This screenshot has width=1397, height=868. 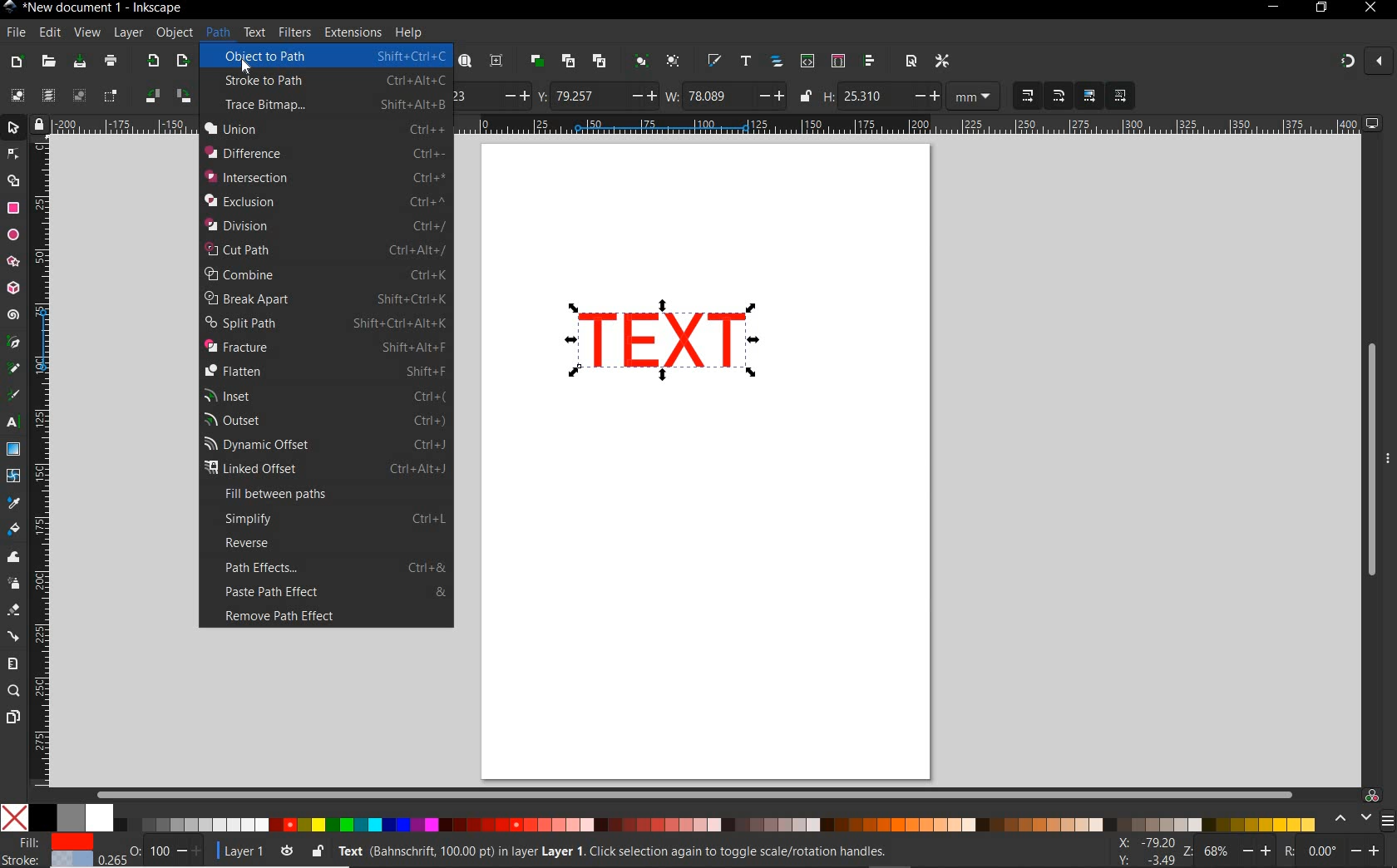 What do you see at coordinates (336, 81) in the screenshot?
I see `STROKE TO PATH` at bounding box center [336, 81].